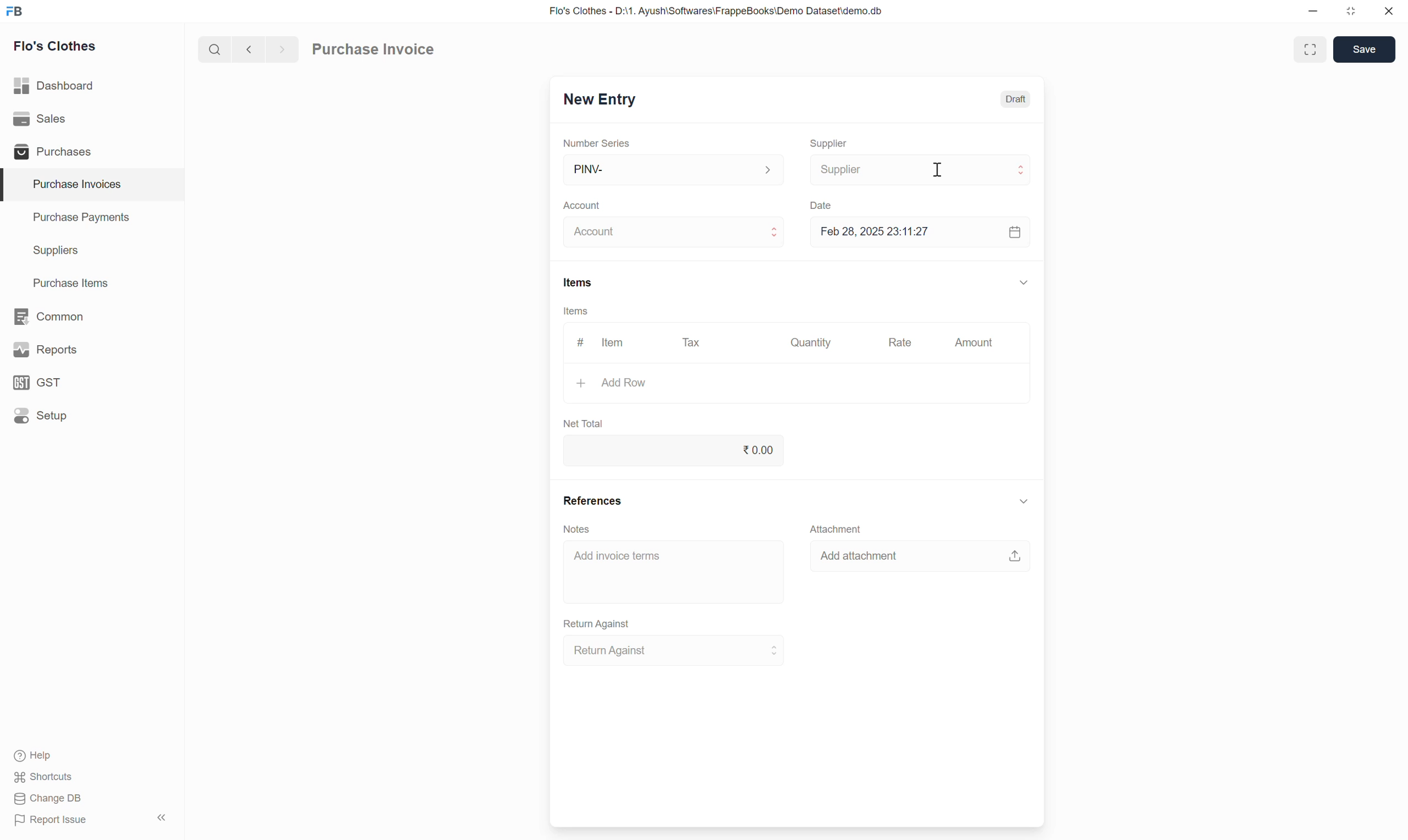  I want to click on Account, so click(674, 232).